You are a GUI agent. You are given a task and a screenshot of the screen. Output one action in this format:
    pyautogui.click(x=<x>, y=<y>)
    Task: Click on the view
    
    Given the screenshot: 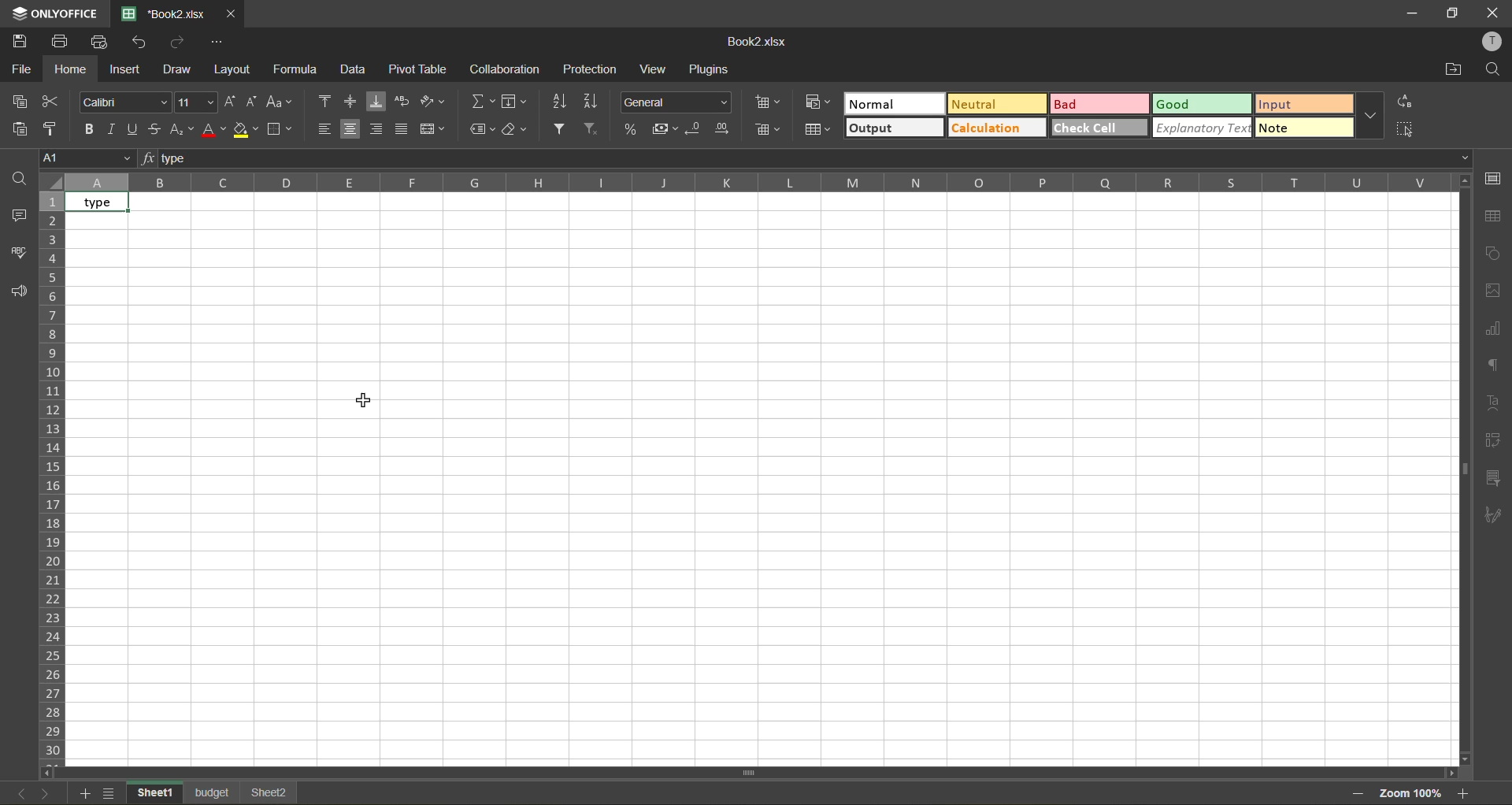 What is the action you would take?
    pyautogui.click(x=653, y=71)
    